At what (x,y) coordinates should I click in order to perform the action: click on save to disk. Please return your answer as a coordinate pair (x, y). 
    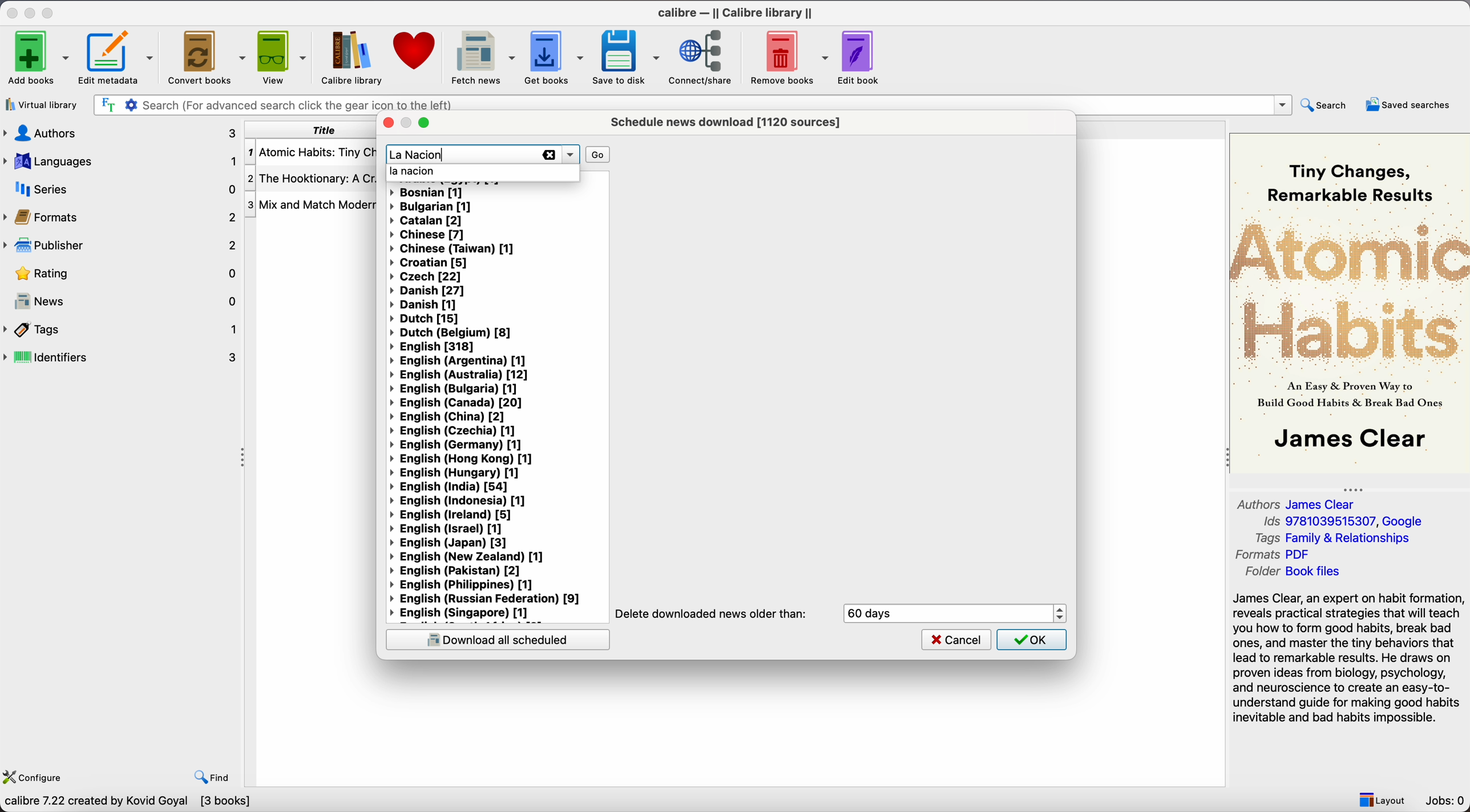
    Looking at the image, I should click on (627, 57).